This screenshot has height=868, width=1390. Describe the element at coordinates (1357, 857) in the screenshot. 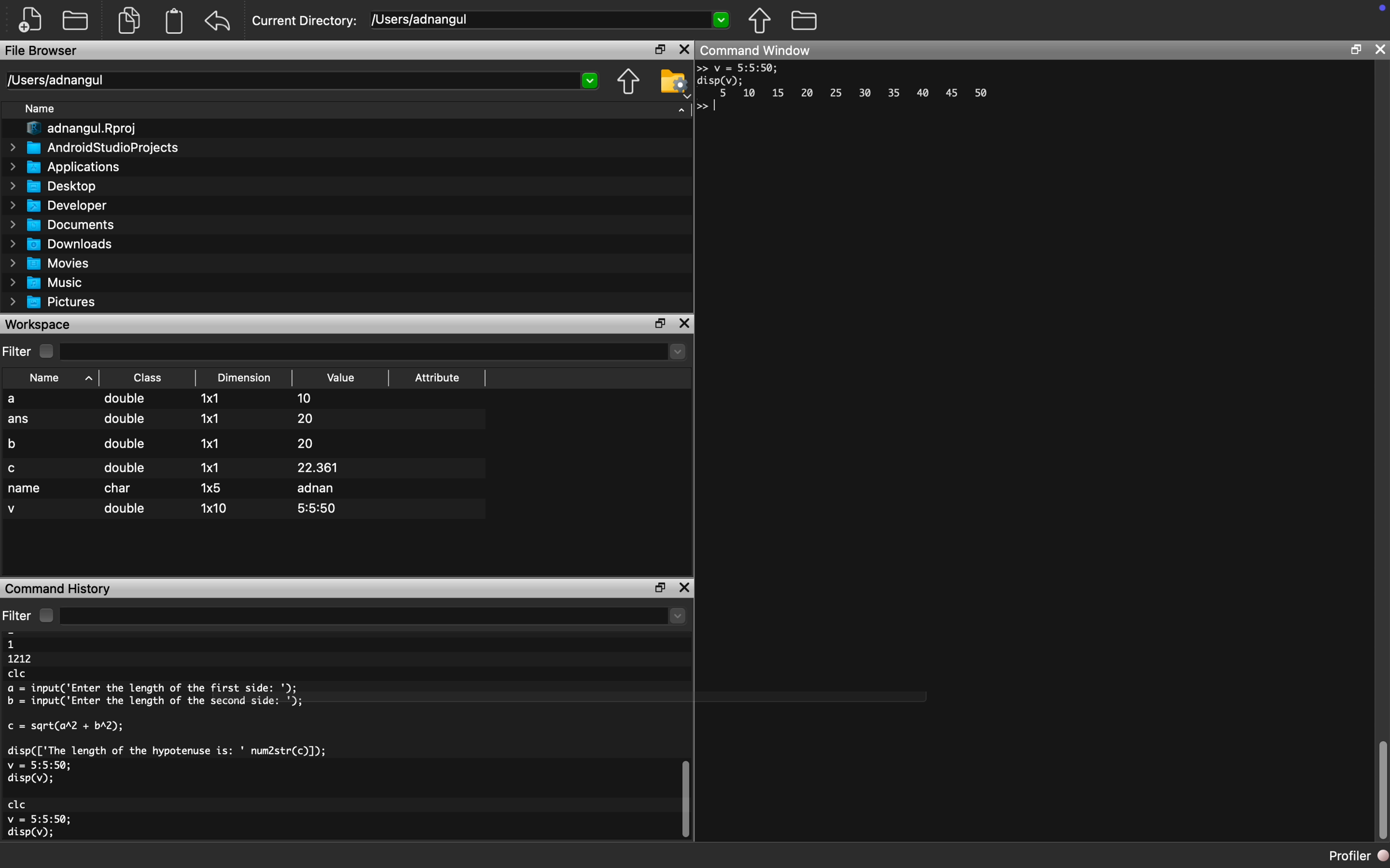

I see `Profiler` at that location.